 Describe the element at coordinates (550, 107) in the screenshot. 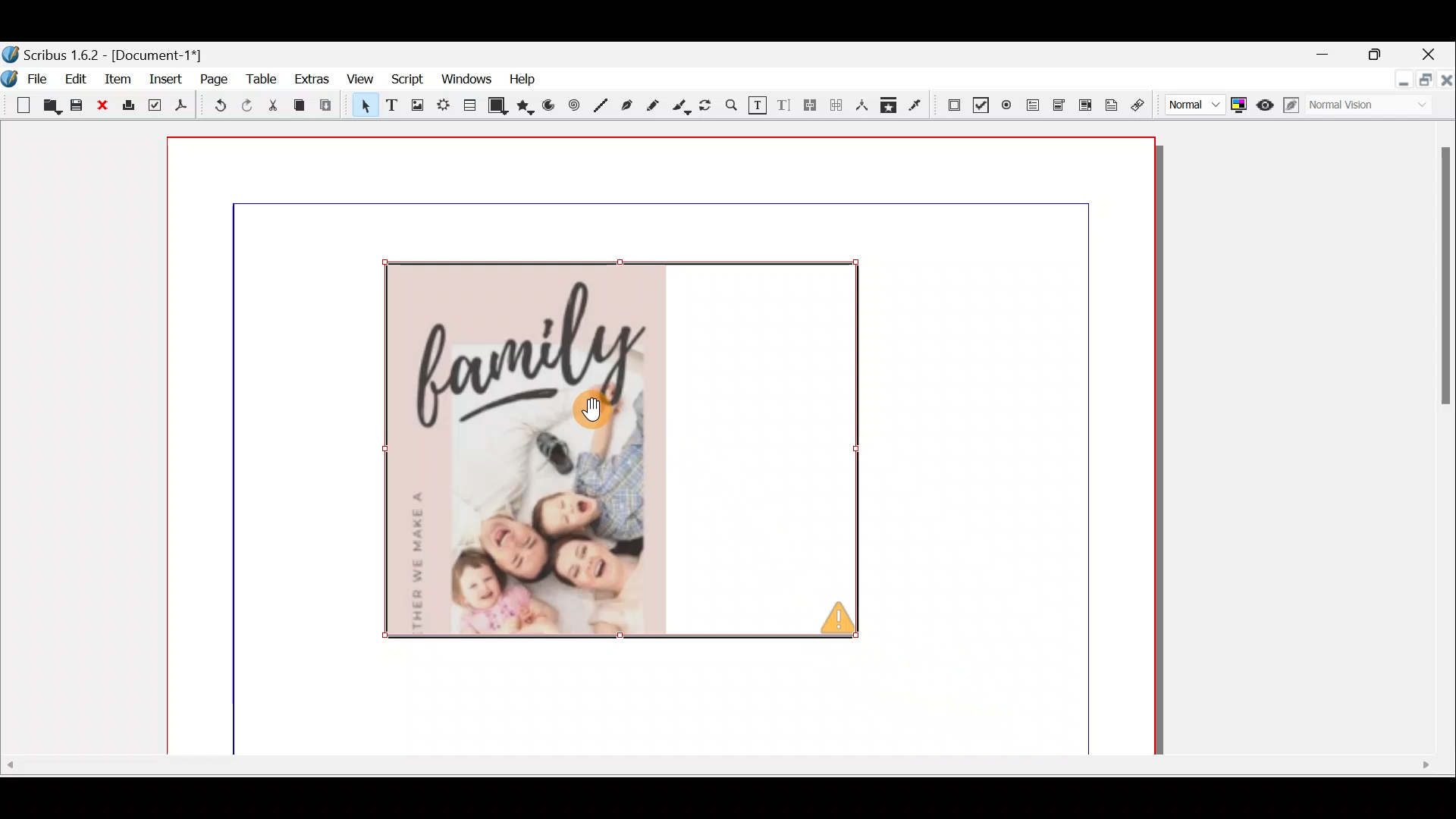

I see `Arc` at that location.